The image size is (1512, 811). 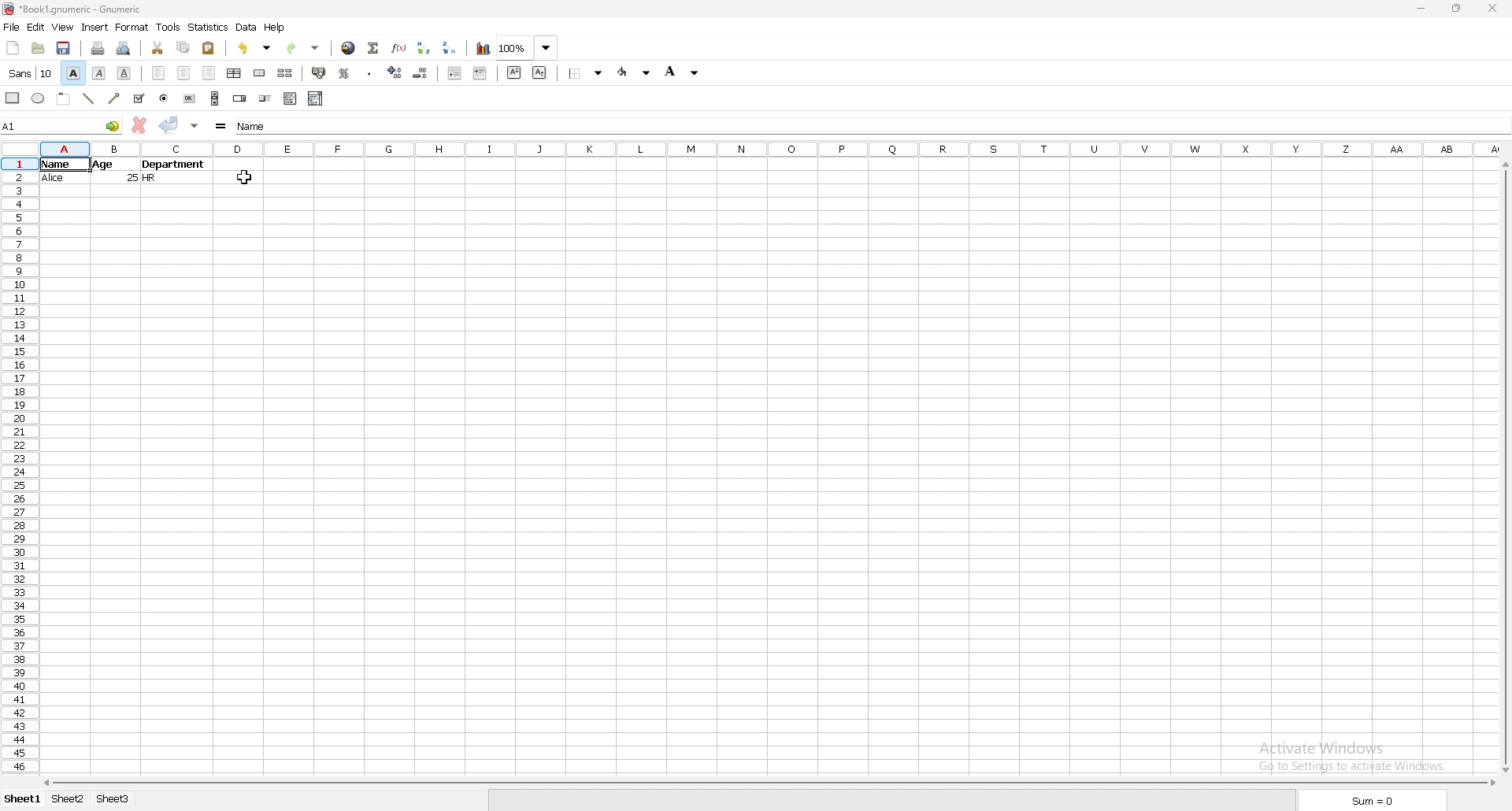 I want to click on percentage, so click(x=343, y=73).